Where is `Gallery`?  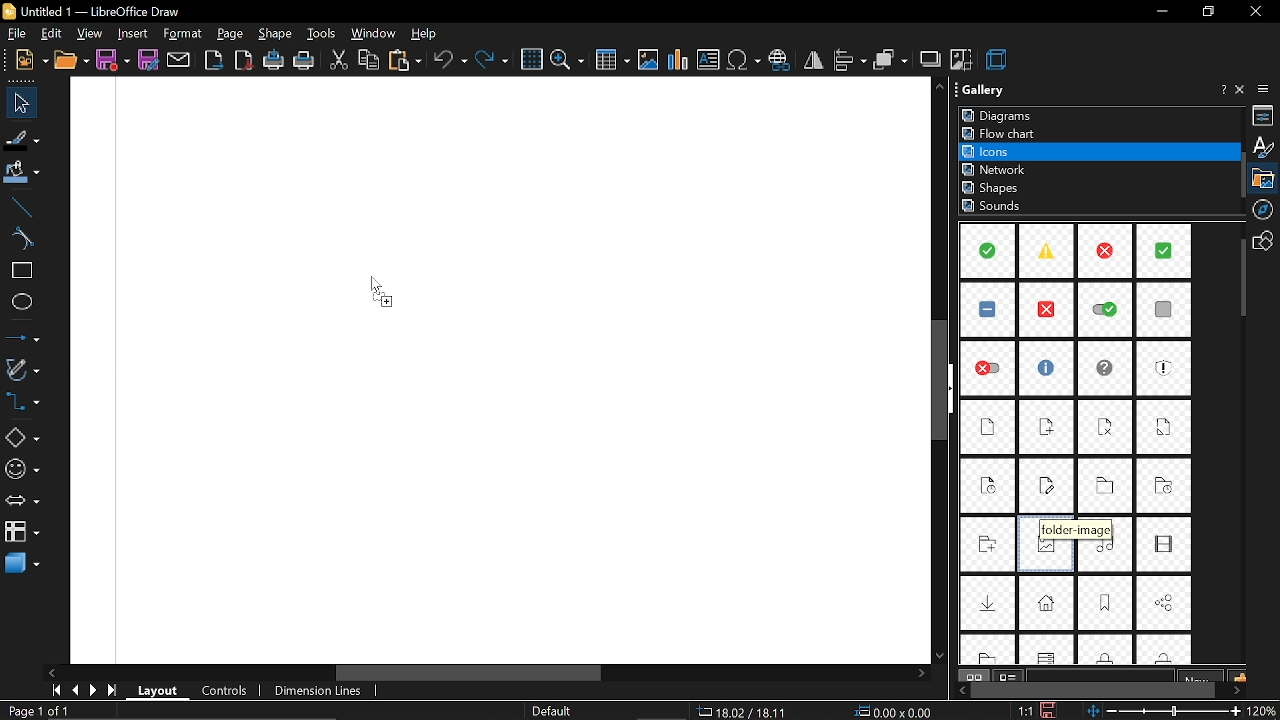 Gallery is located at coordinates (996, 88).